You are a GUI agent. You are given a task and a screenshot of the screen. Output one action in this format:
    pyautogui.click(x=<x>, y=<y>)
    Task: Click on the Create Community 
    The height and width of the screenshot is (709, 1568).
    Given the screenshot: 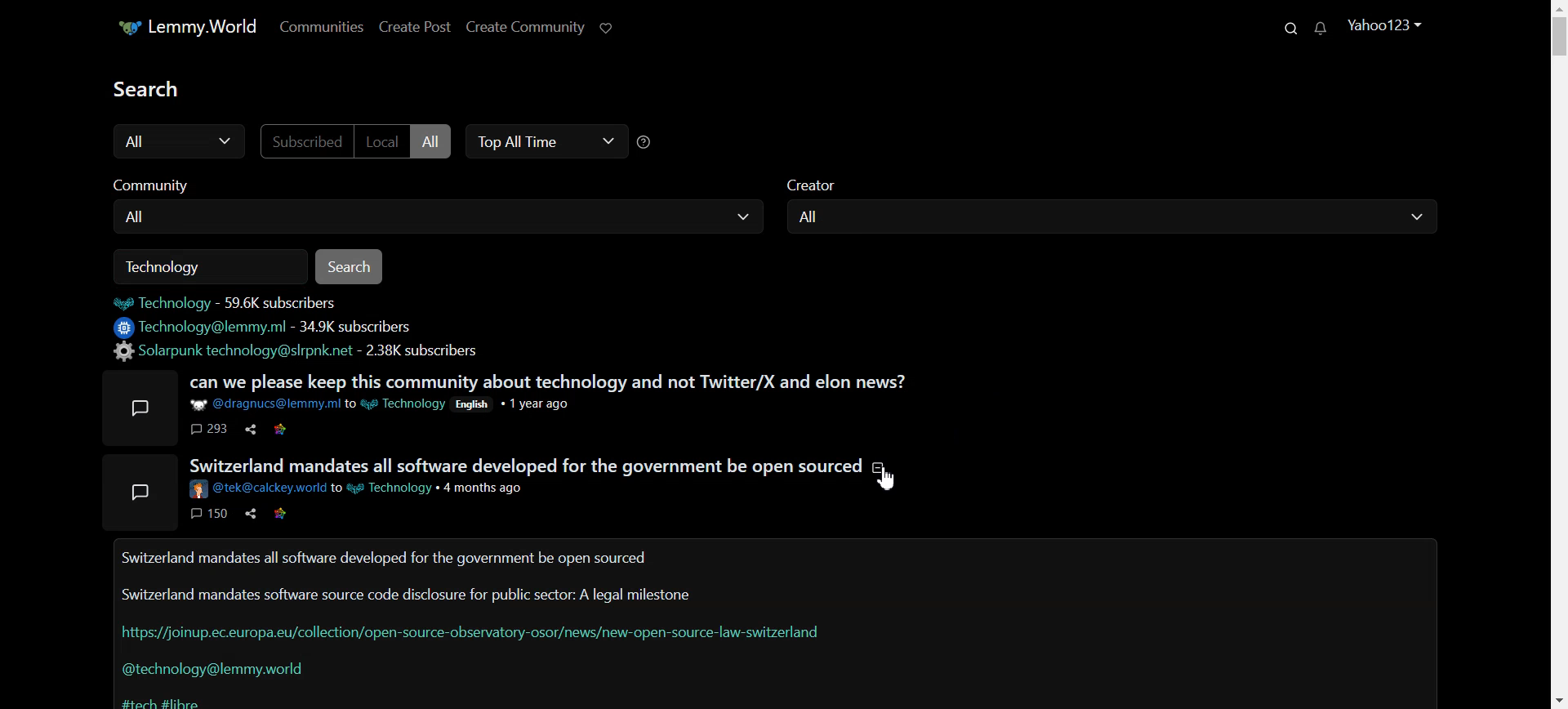 What is the action you would take?
    pyautogui.click(x=528, y=26)
    